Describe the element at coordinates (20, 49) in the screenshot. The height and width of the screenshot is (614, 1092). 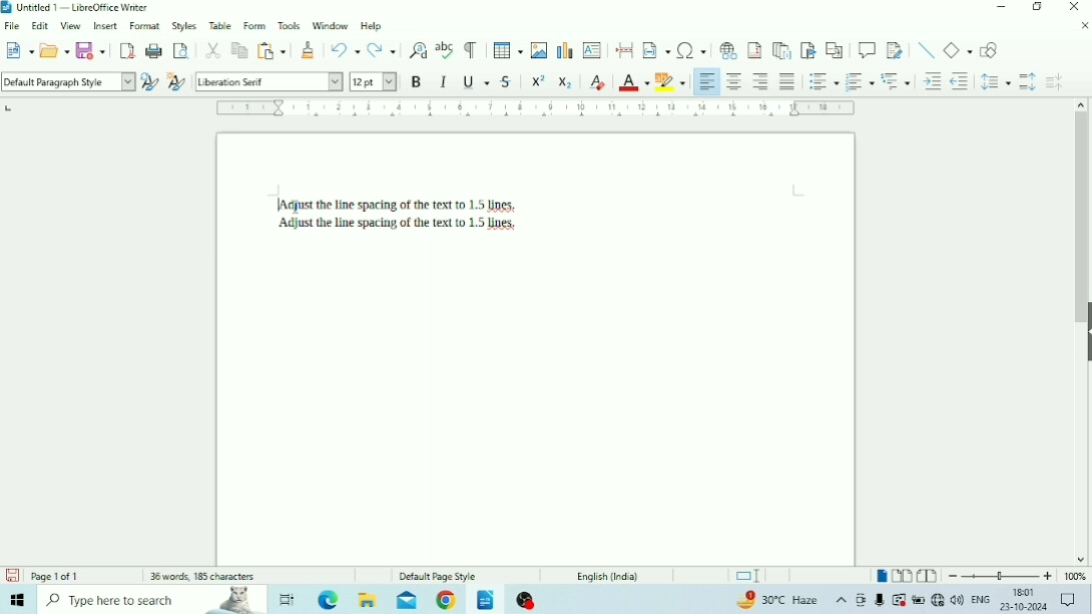
I see `New` at that location.